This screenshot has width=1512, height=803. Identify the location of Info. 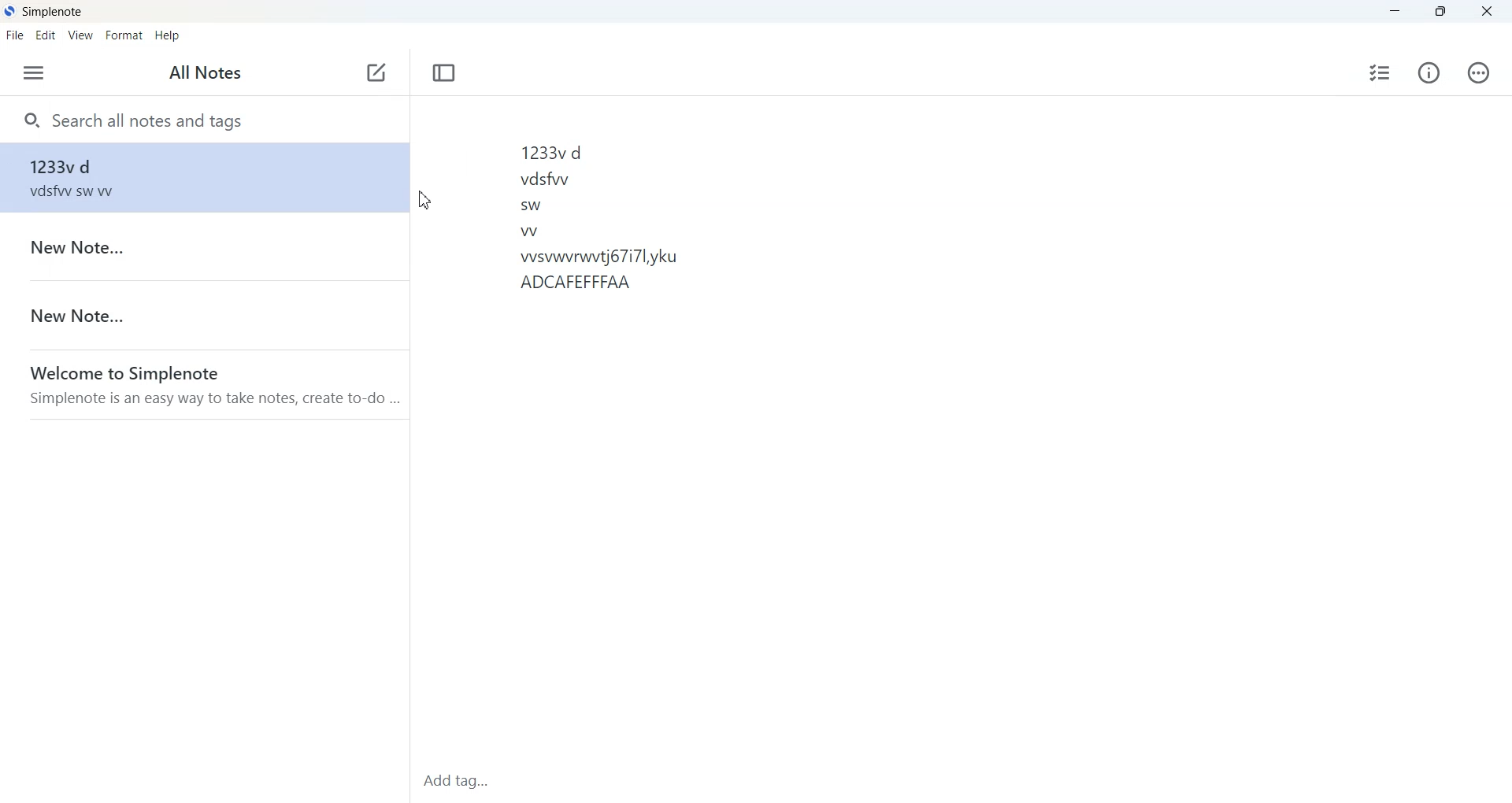
(1429, 72).